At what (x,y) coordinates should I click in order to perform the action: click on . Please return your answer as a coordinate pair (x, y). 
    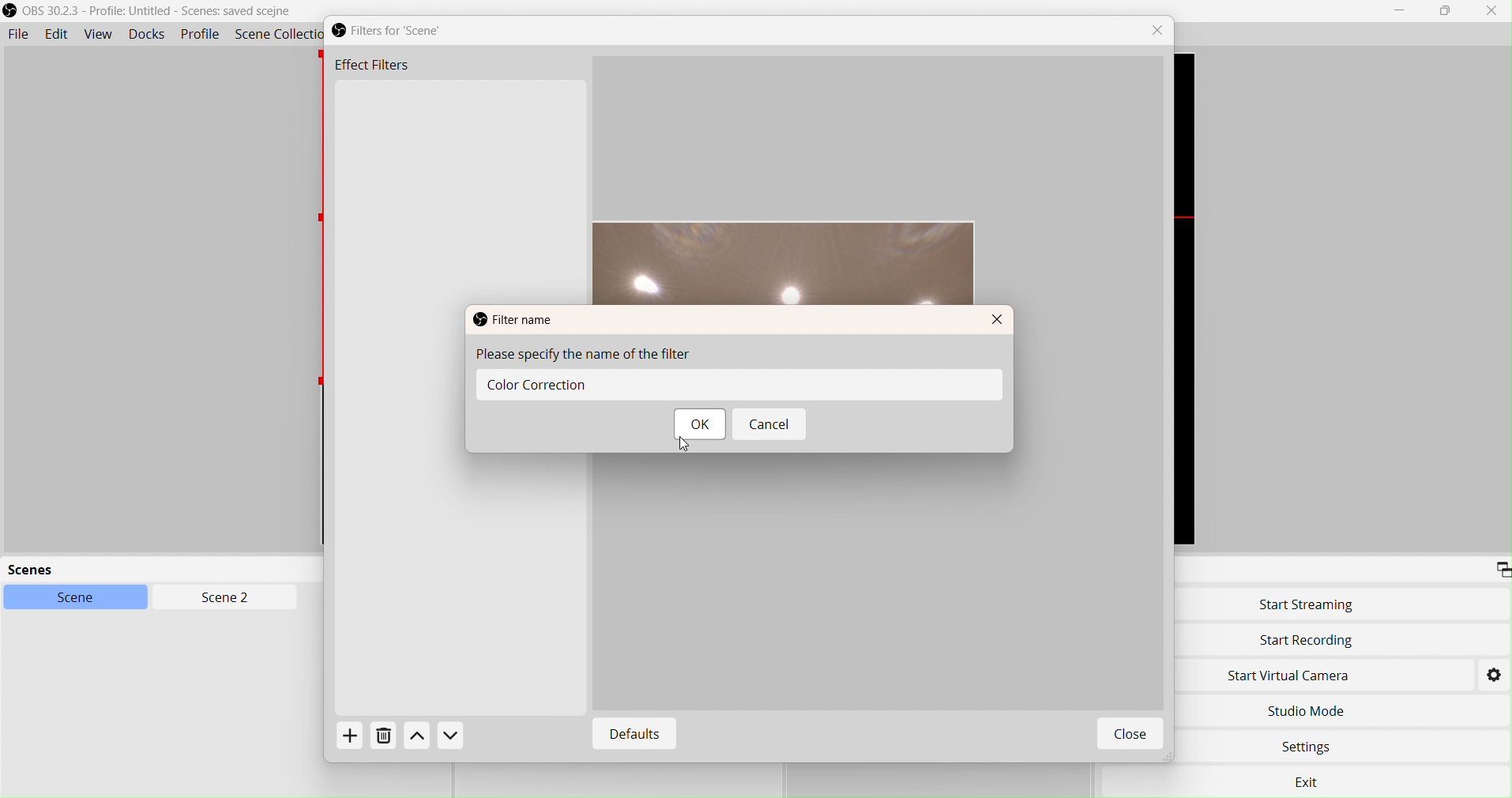
    Looking at the image, I should click on (180, 11).